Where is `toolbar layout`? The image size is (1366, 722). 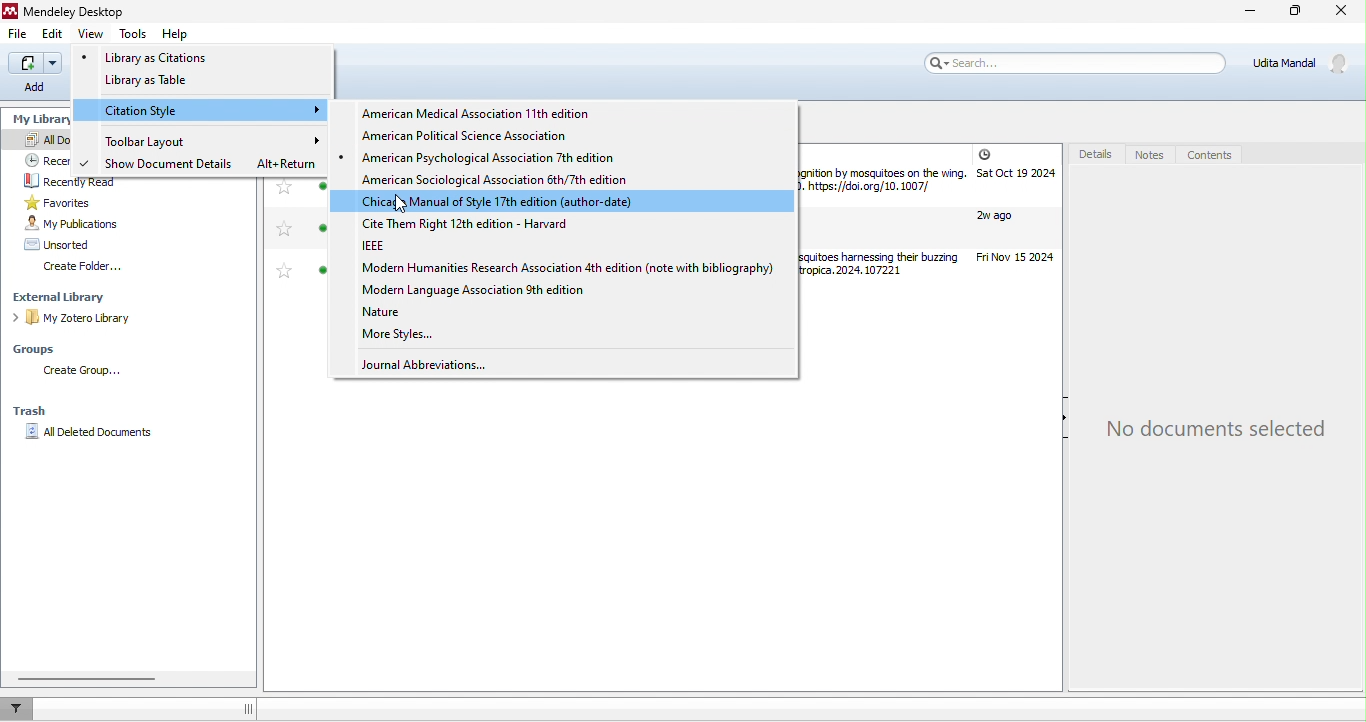
toolbar layout is located at coordinates (207, 142).